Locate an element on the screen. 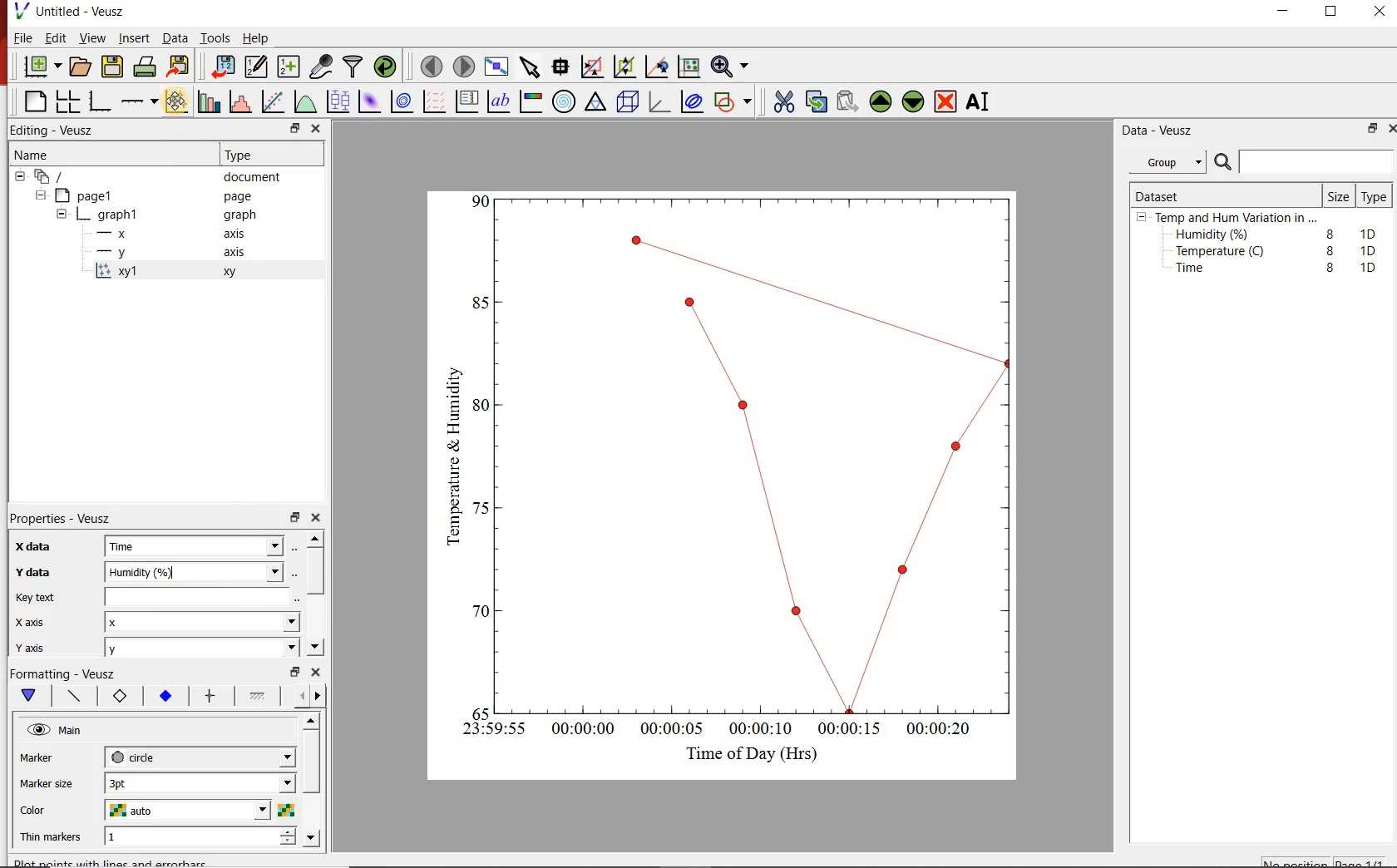  x is located at coordinates (120, 234).